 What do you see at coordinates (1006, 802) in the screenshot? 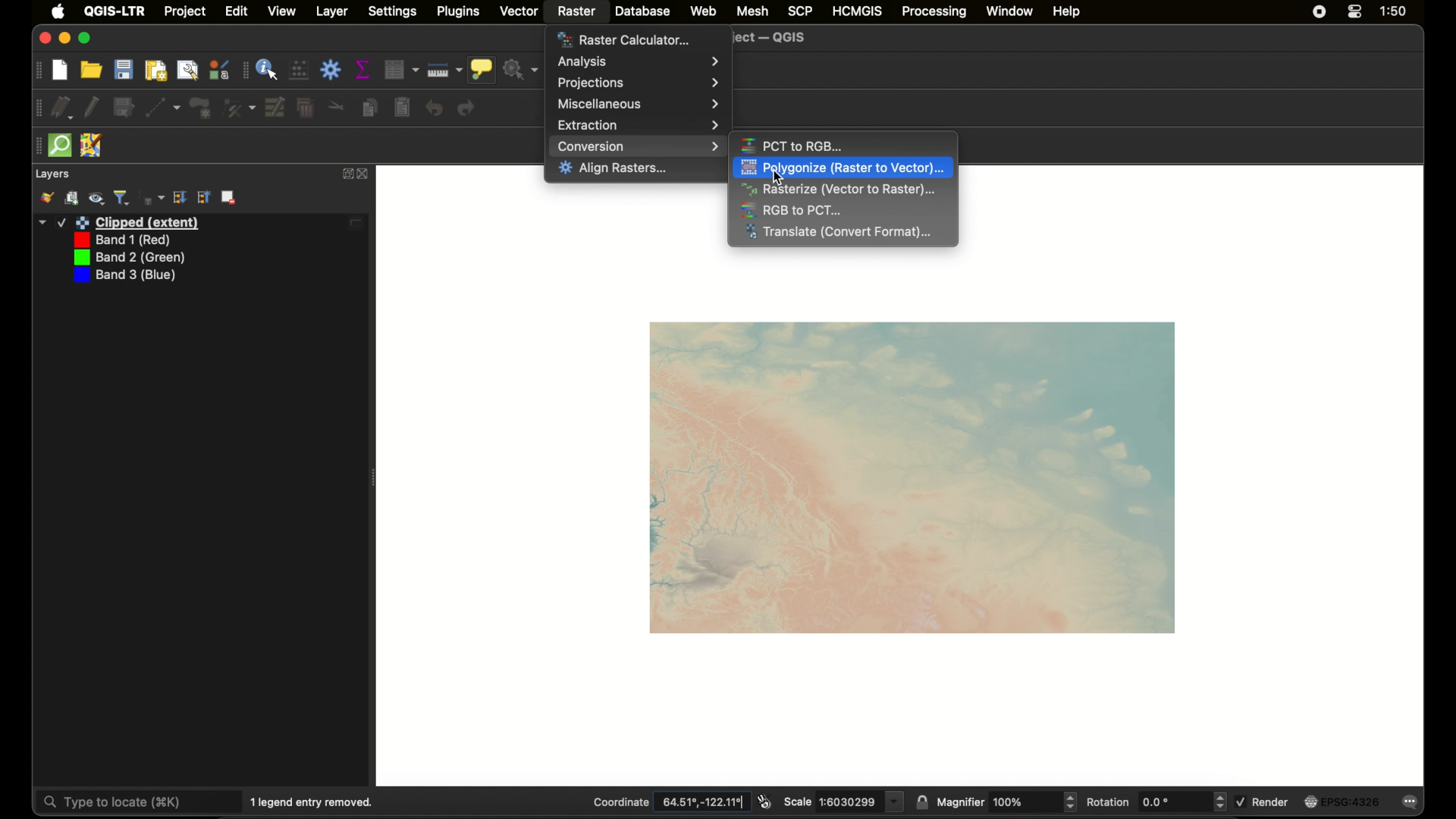
I see `magnifier` at bounding box center [1006, 802].